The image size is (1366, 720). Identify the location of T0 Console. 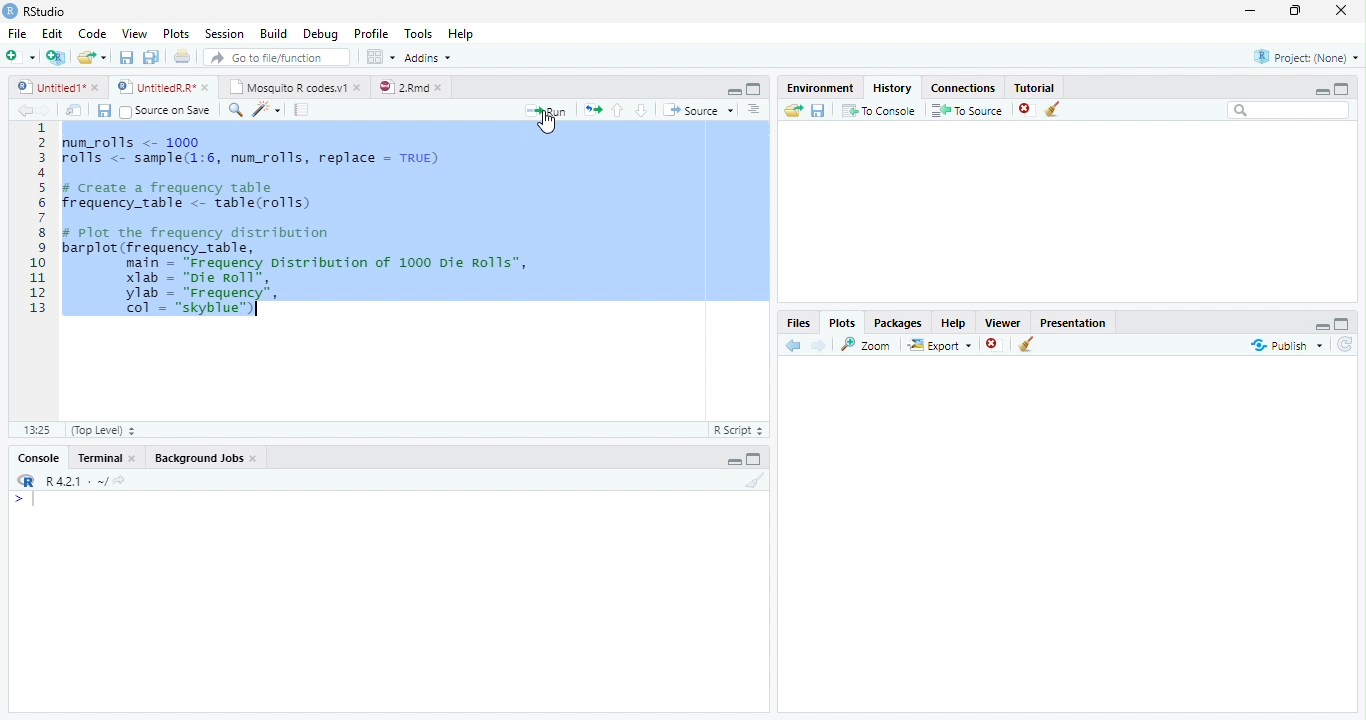
(878, 109).